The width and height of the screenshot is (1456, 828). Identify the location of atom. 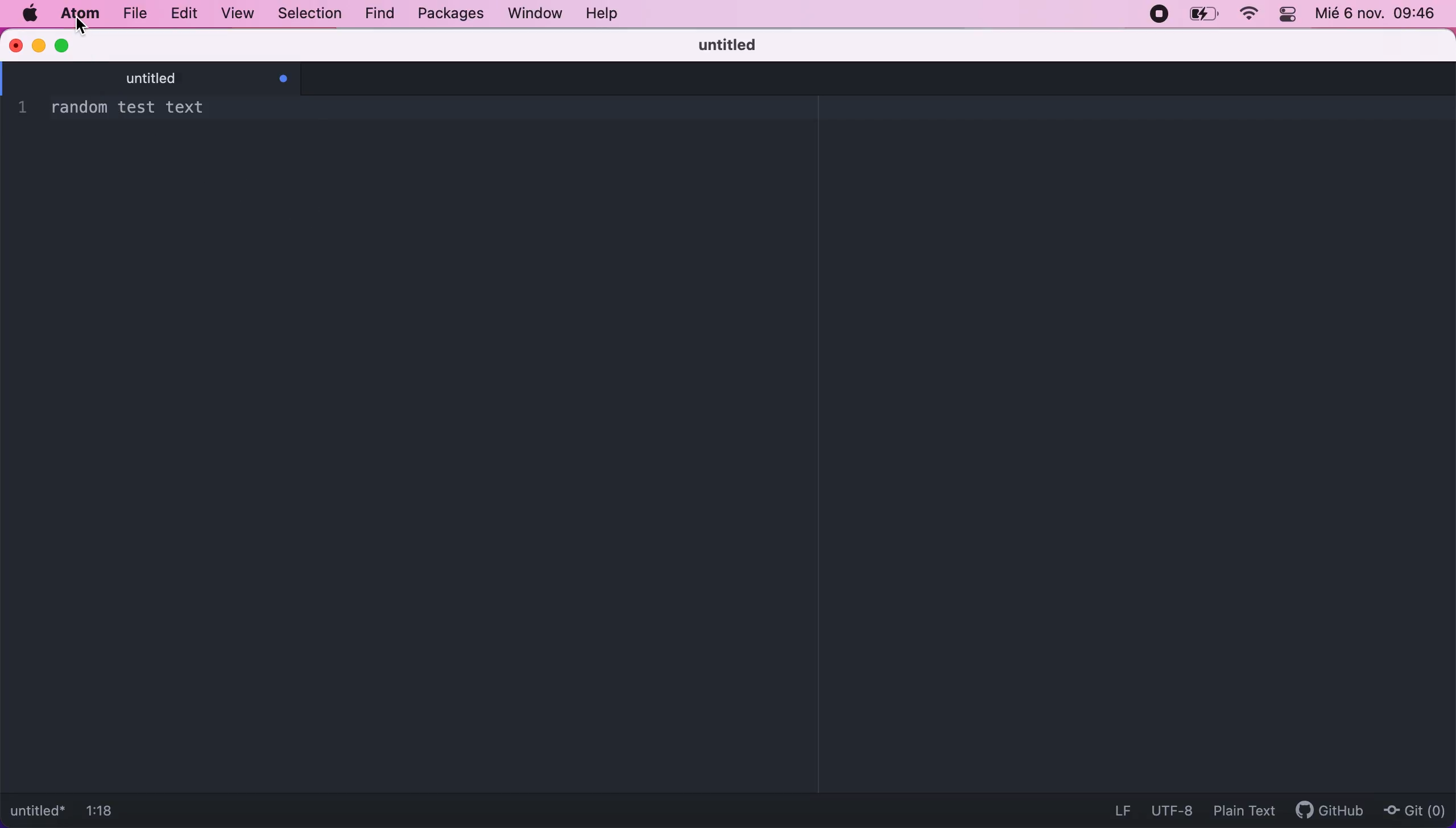
(78, 14).